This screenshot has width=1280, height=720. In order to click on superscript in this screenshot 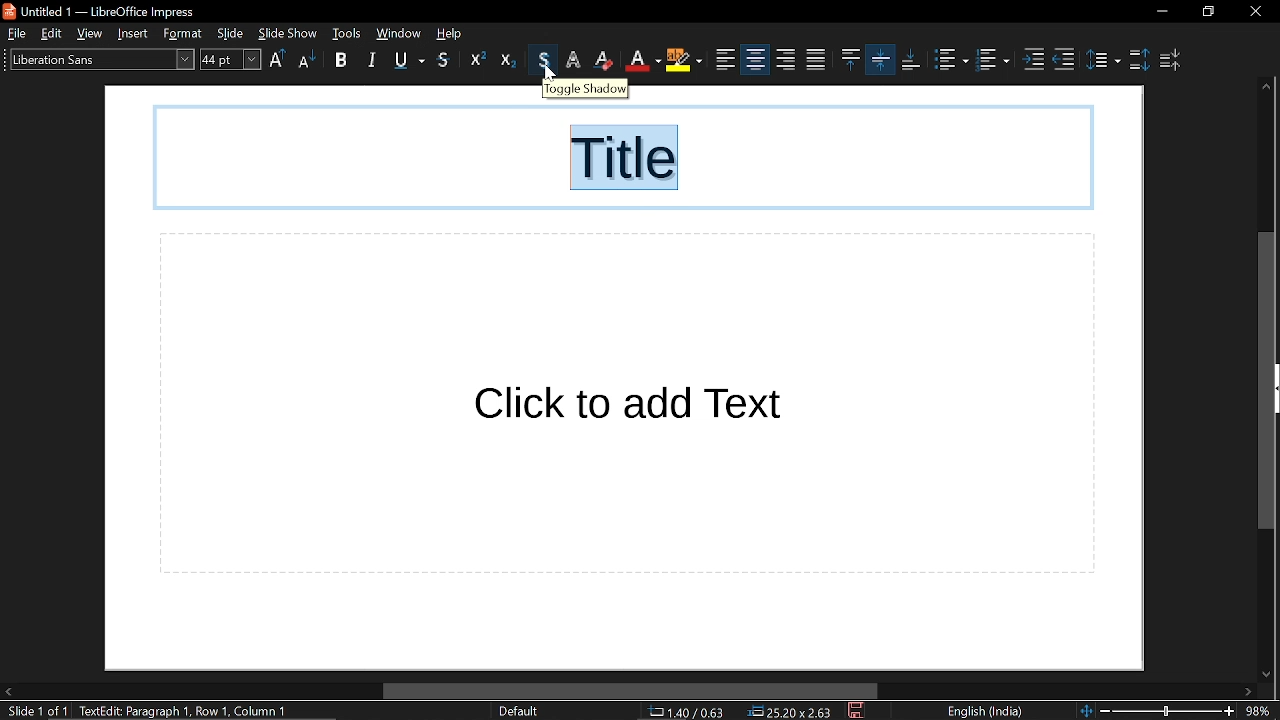, I will do `click(473, 61)`.